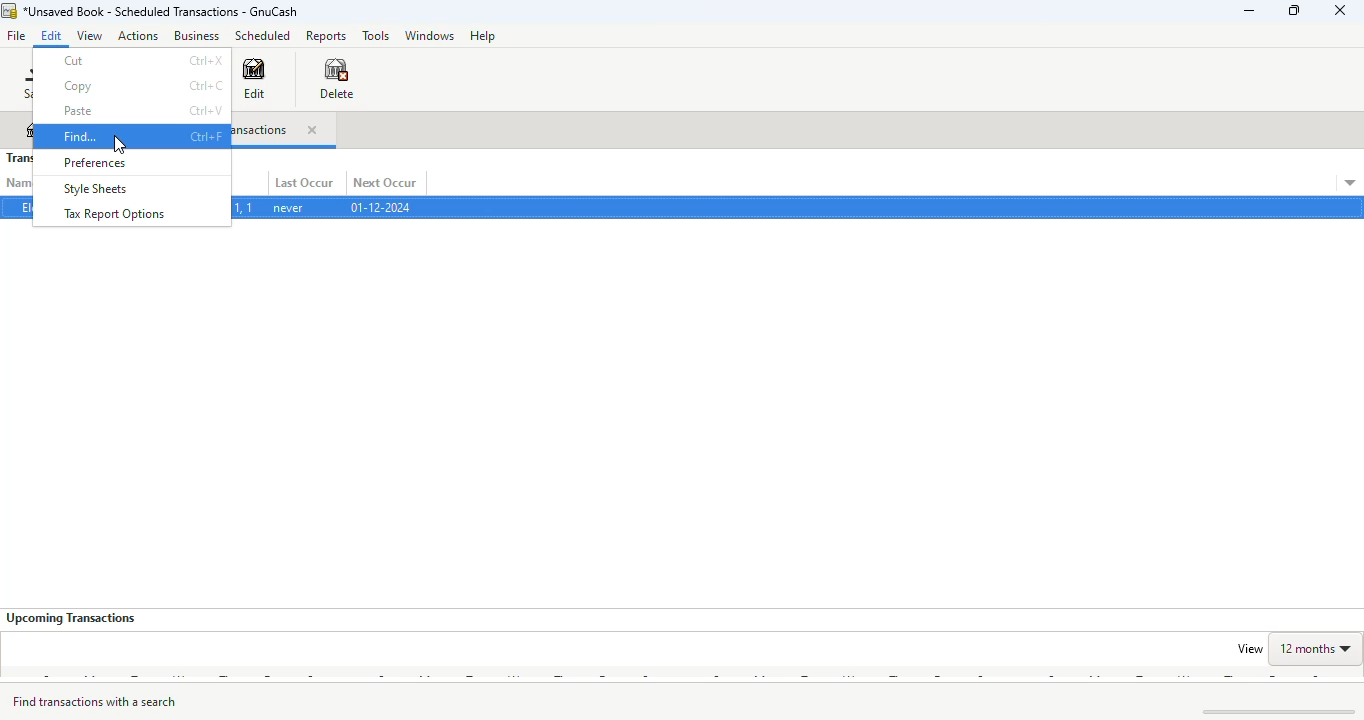  I want to click on file, so click(17, 35).